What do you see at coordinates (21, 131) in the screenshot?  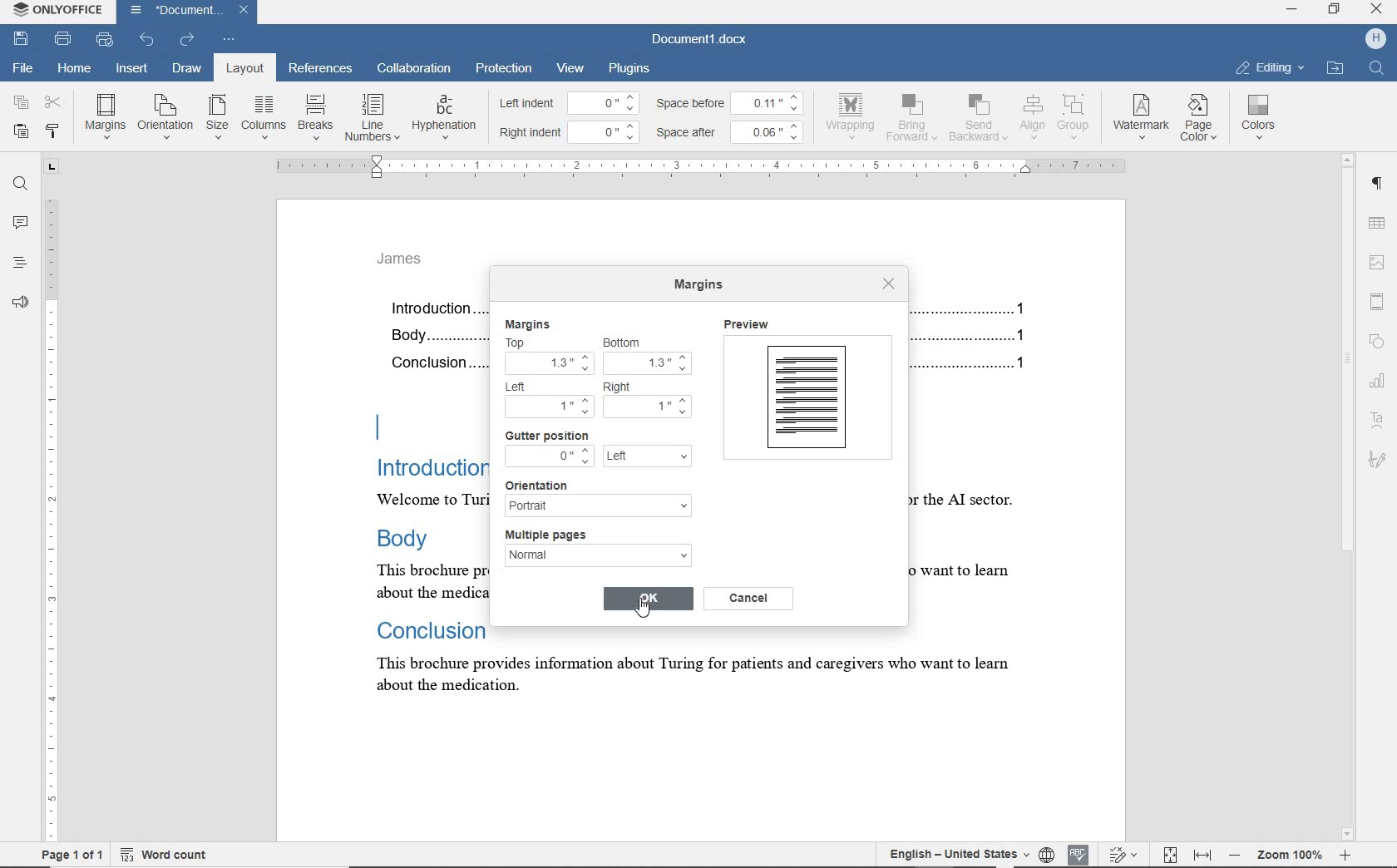 I see `paste` at bounding box center [21, 131].